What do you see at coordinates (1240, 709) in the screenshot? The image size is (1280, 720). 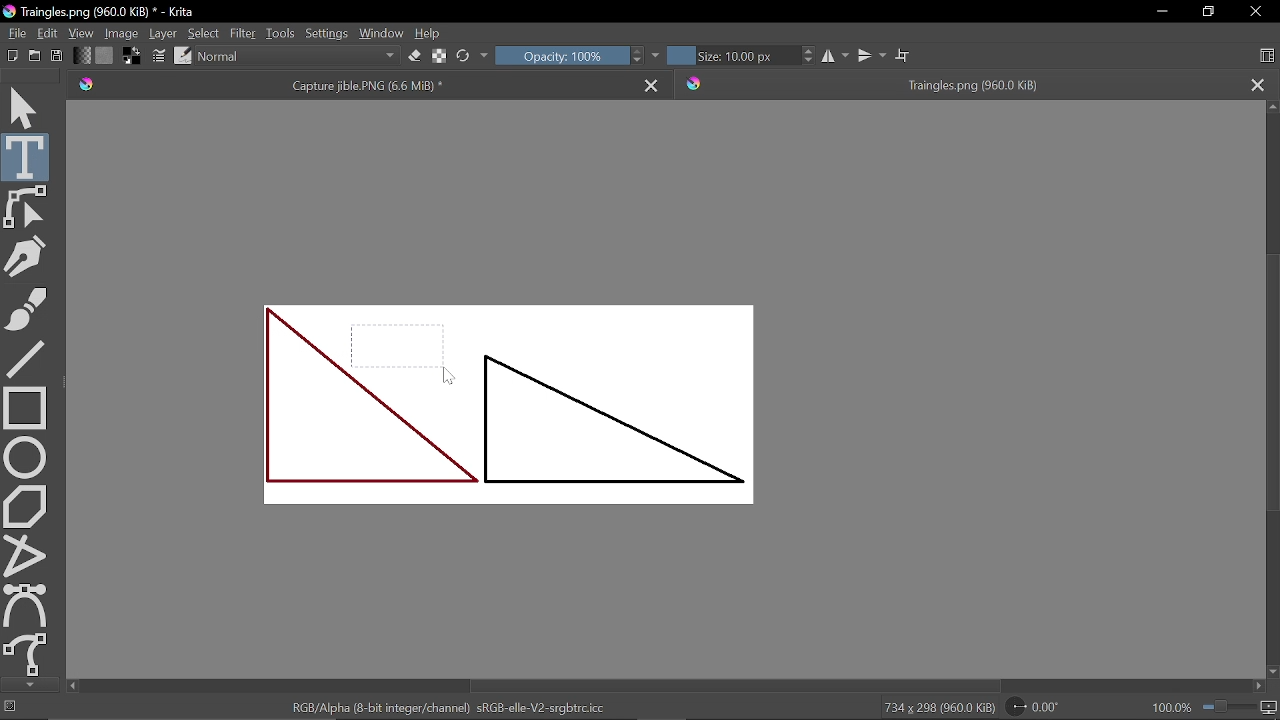 I see `Zoom` at bounding box center [1240, 709].